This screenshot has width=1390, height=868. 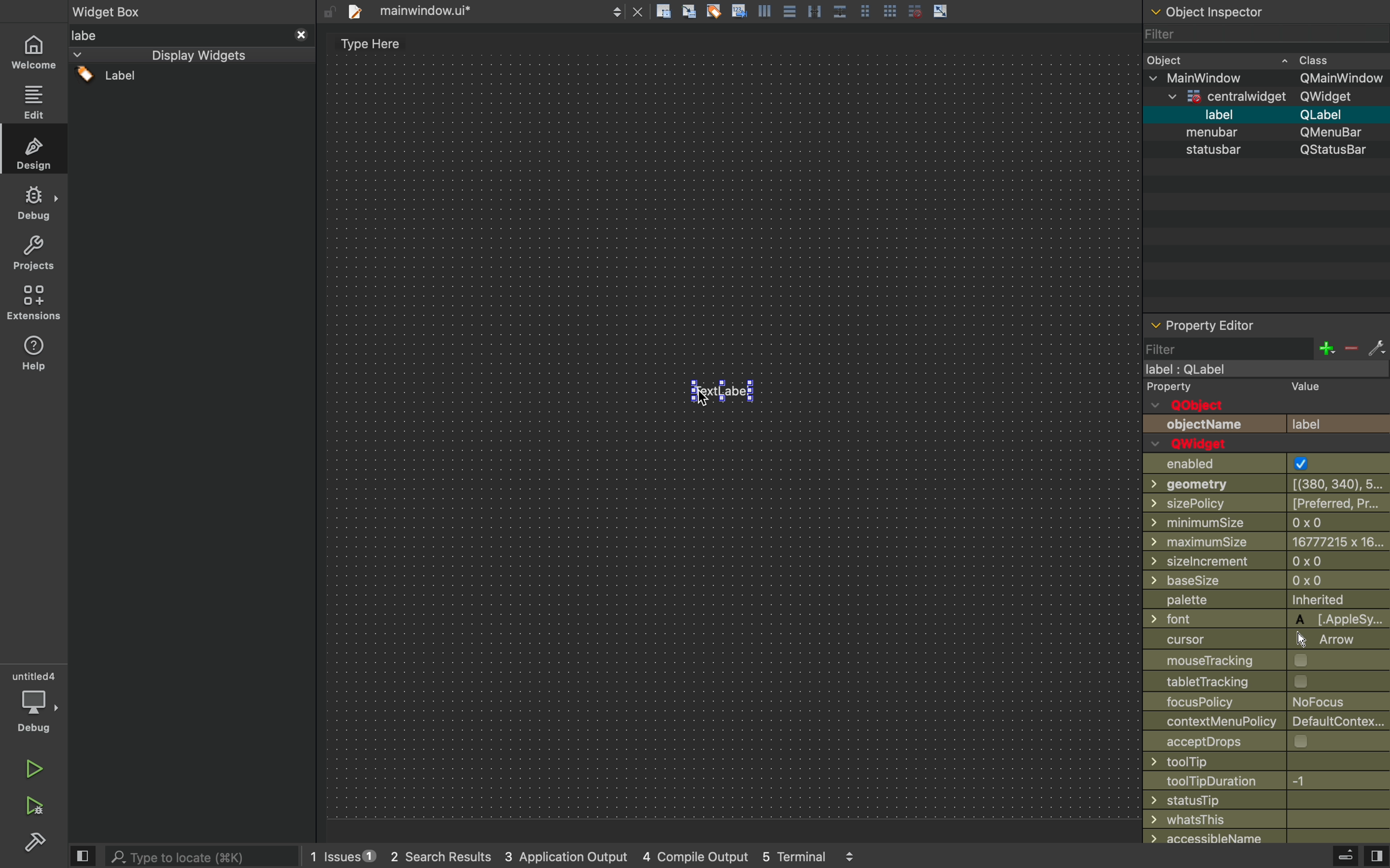 What do you see at coordinates (31, 767) in the screenshot?
I see `run ` at bounding box center [31, 767].